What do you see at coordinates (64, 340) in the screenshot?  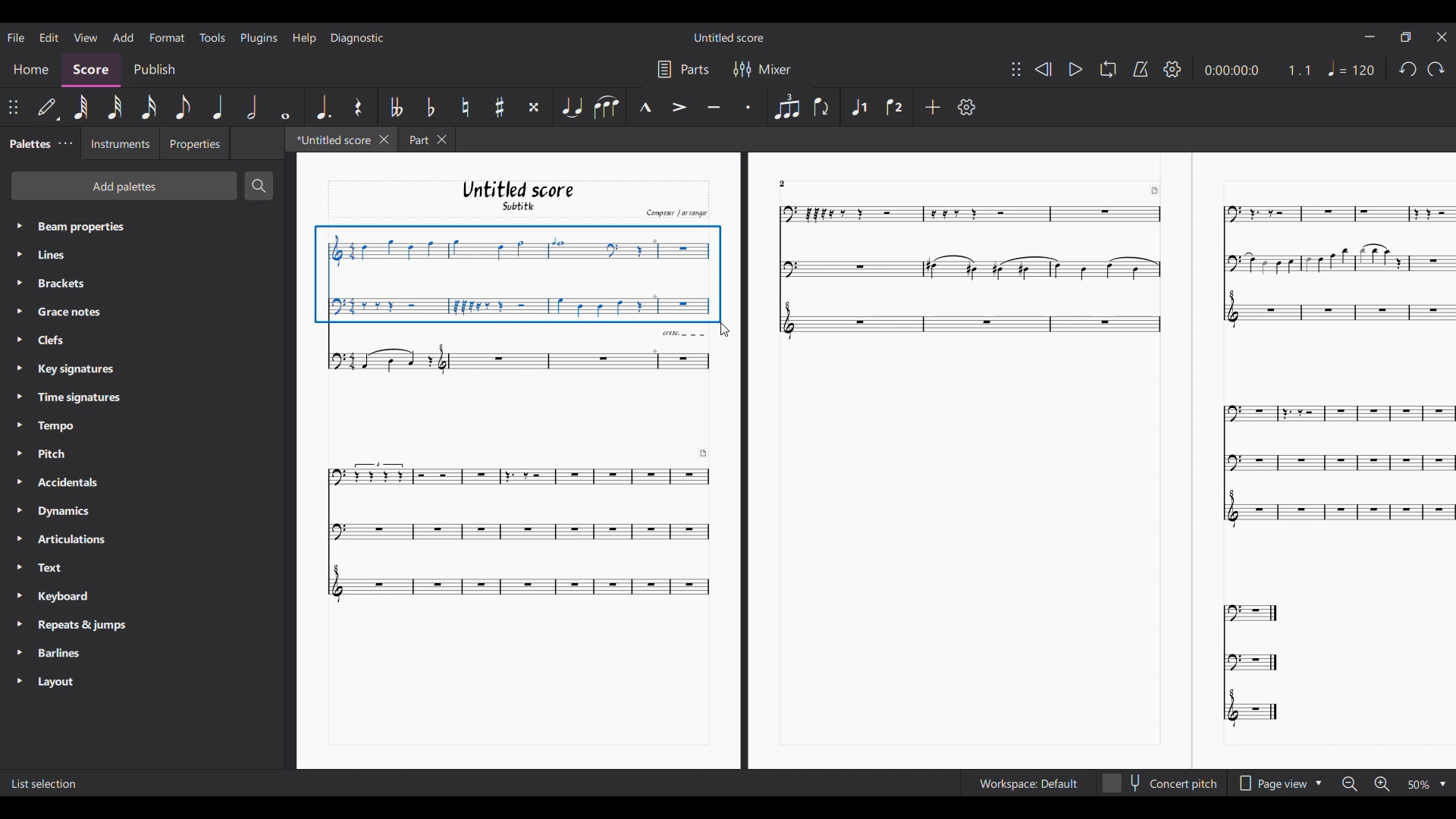 I see `Clefs` at bounding box center [64, 340].